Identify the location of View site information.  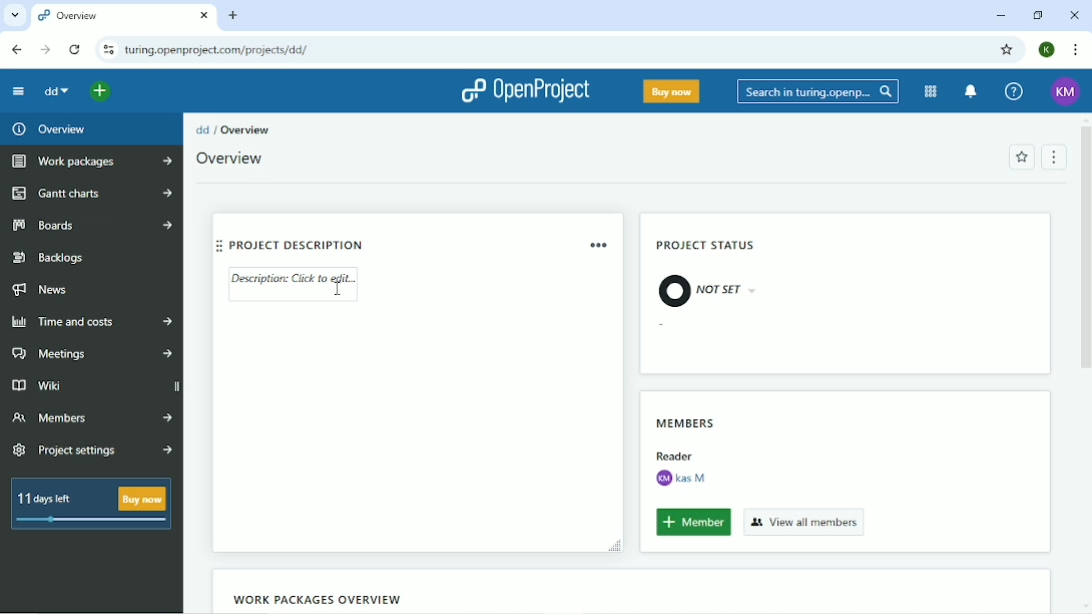
(108, 50).